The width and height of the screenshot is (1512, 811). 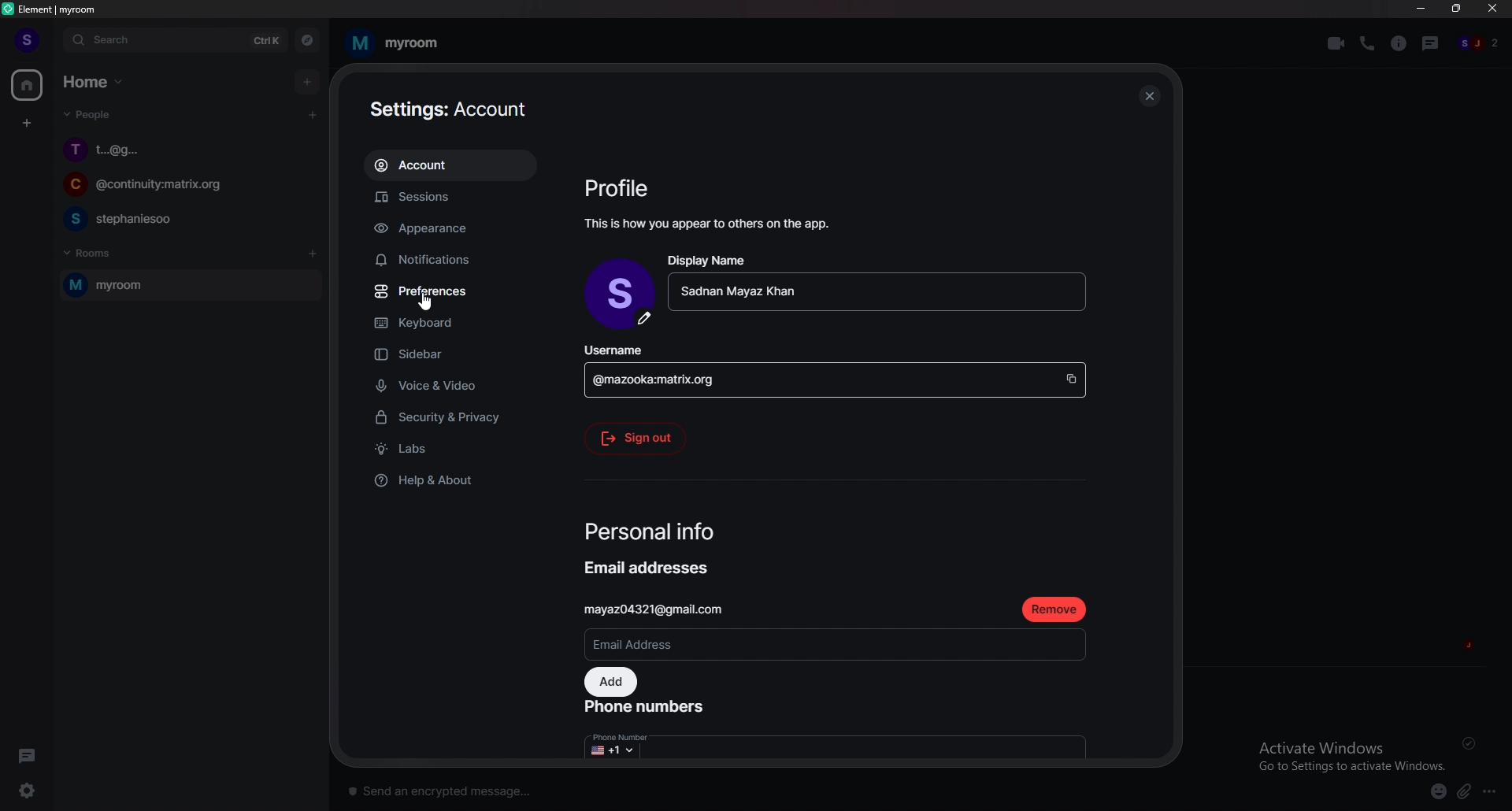 What do you see at coordinates (96, 80) in the screenshot?
I see `Home` at bounding box center [96, 80].